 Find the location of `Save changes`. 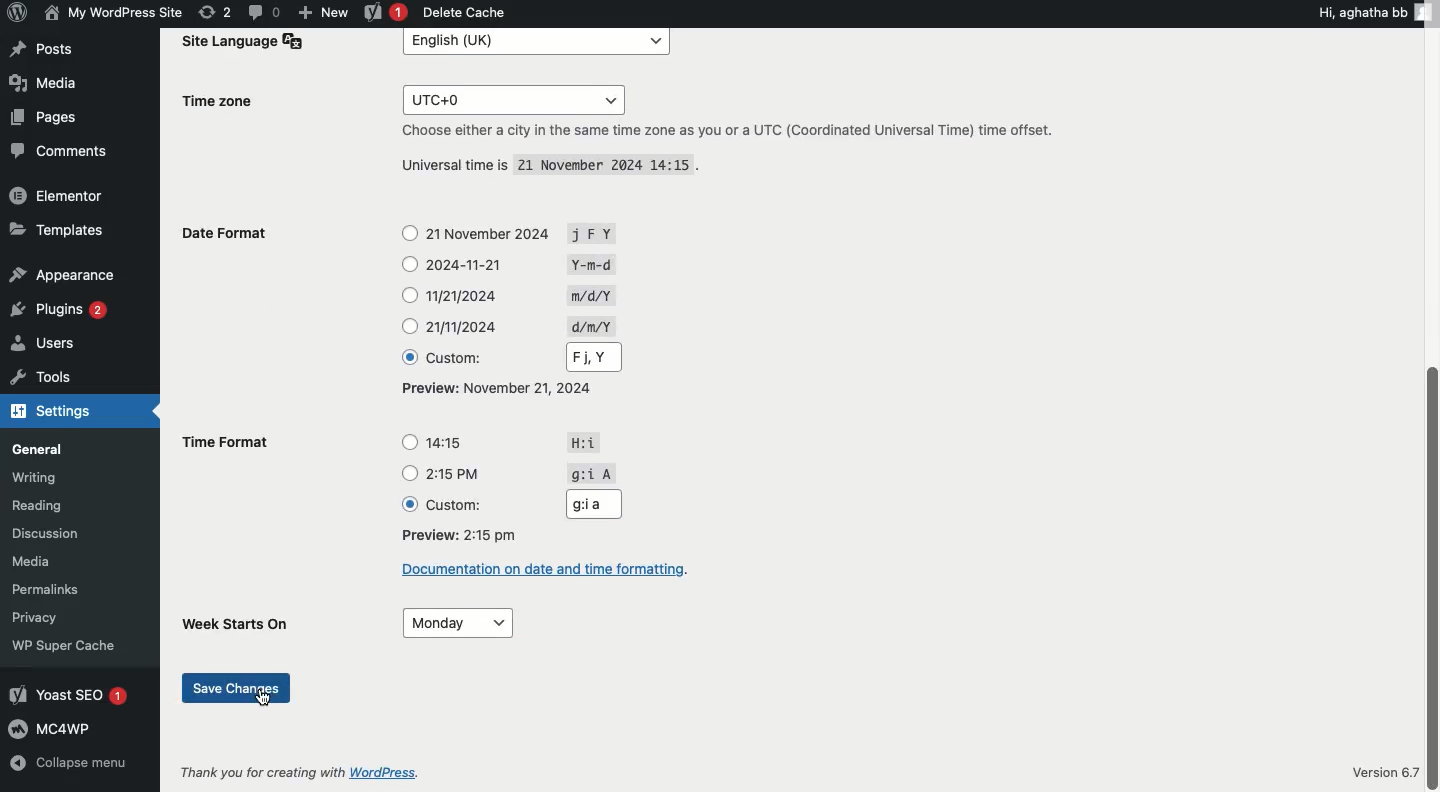

Save changes is located at coordinates (238, 688).